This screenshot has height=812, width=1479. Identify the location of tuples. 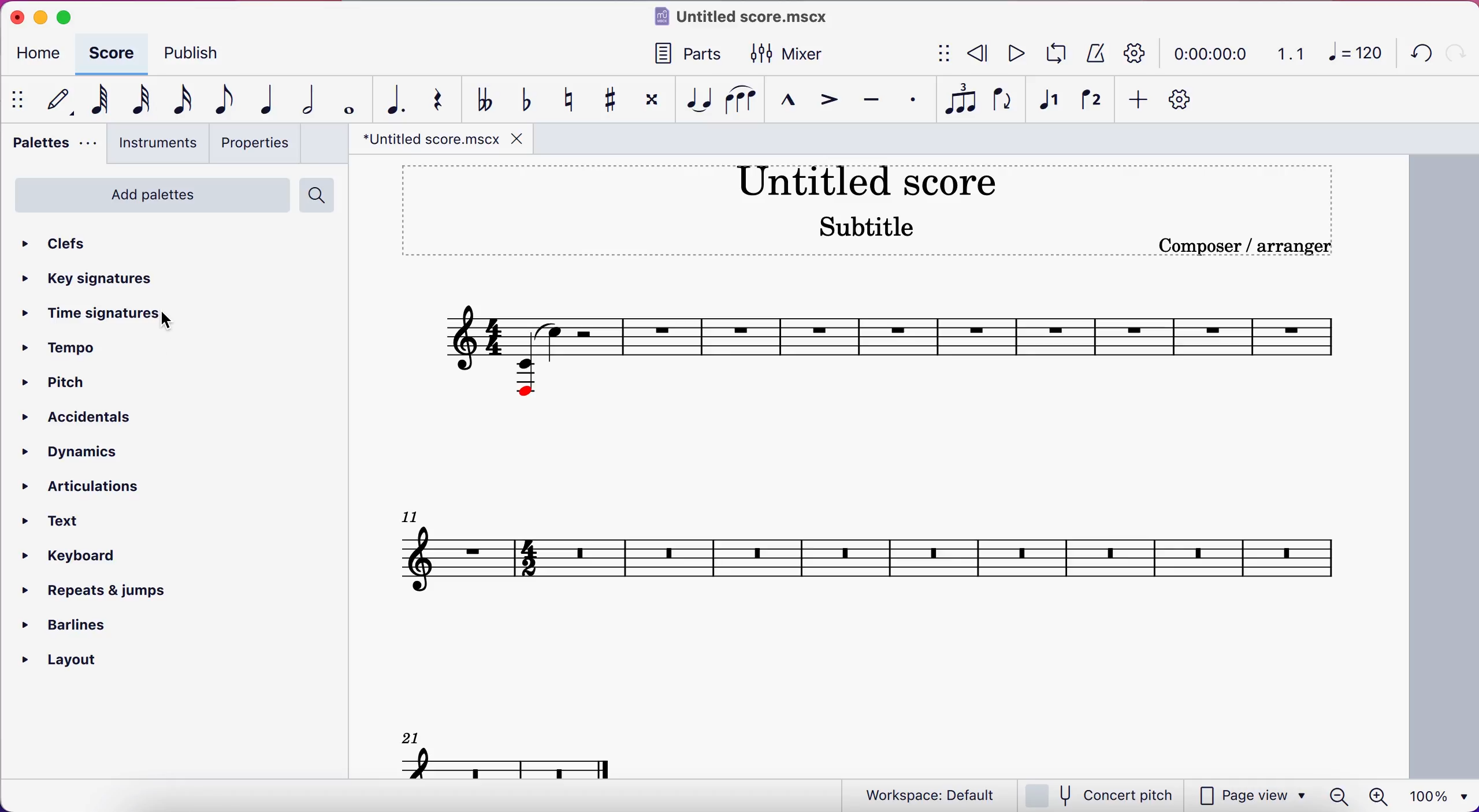
(958, 100).